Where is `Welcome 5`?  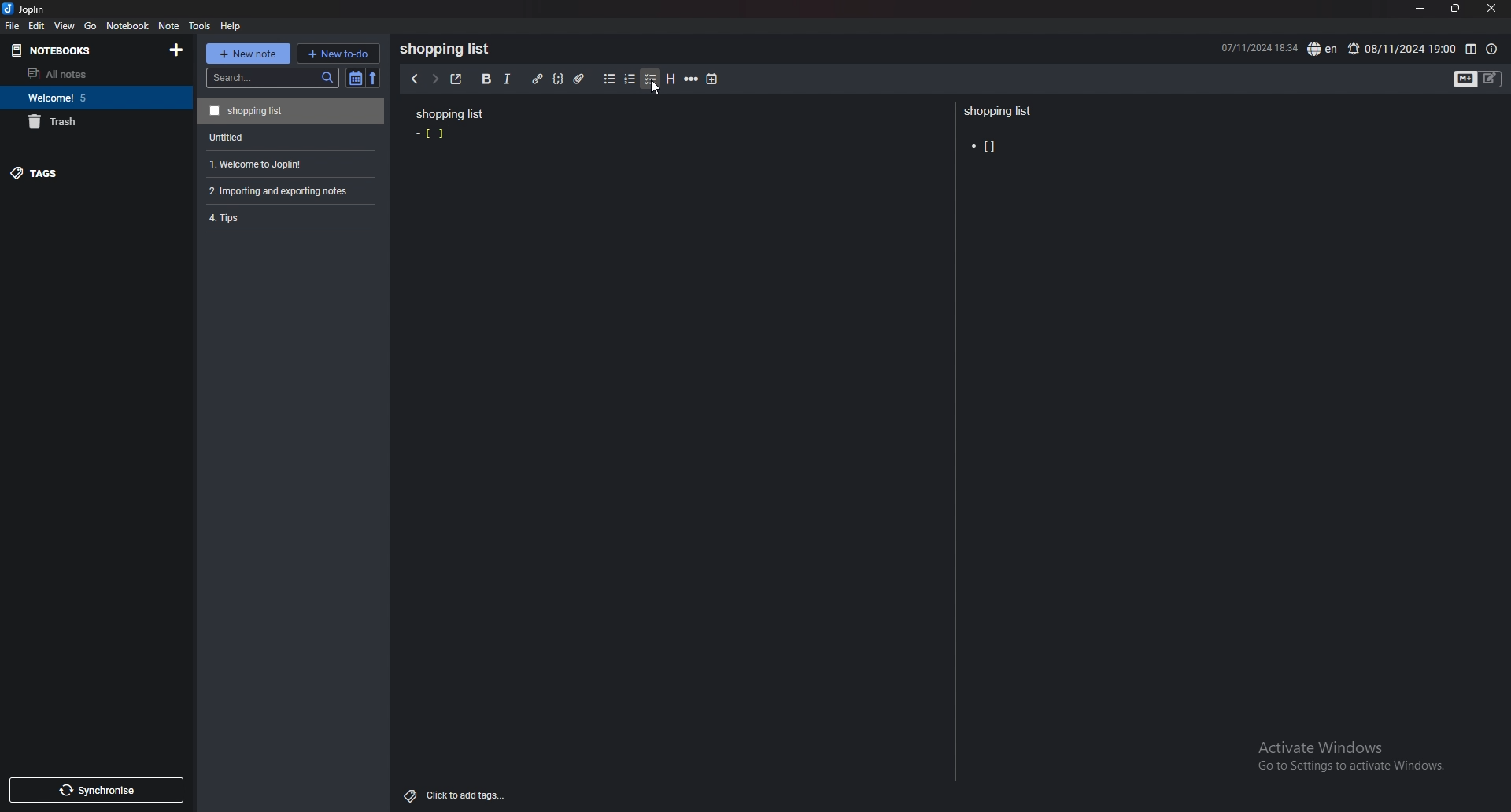
Welcome 5 is located at coordinates (92, 97).